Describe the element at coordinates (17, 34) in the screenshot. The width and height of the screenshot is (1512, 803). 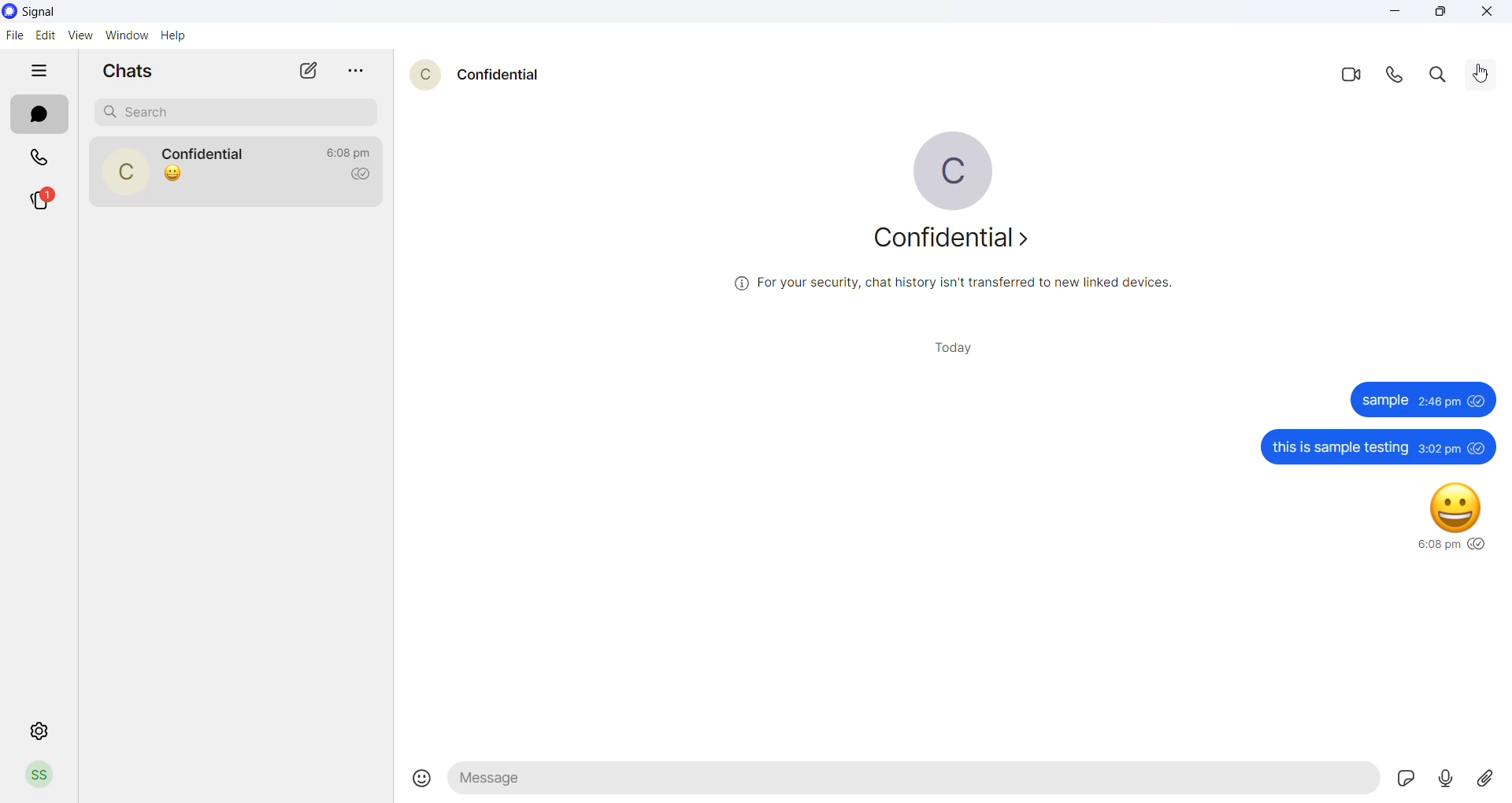
I see `file` at that location.